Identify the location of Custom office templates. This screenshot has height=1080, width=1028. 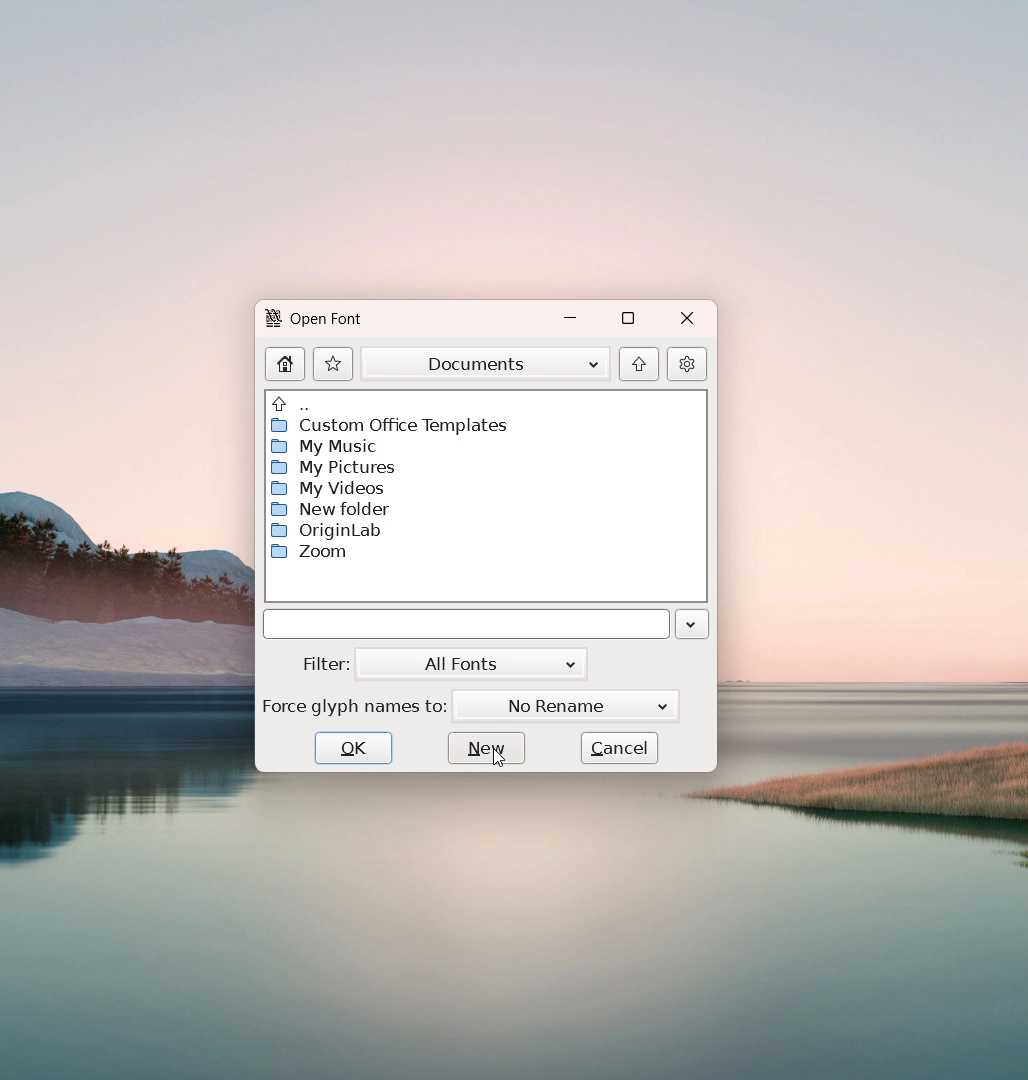
(387, 426).